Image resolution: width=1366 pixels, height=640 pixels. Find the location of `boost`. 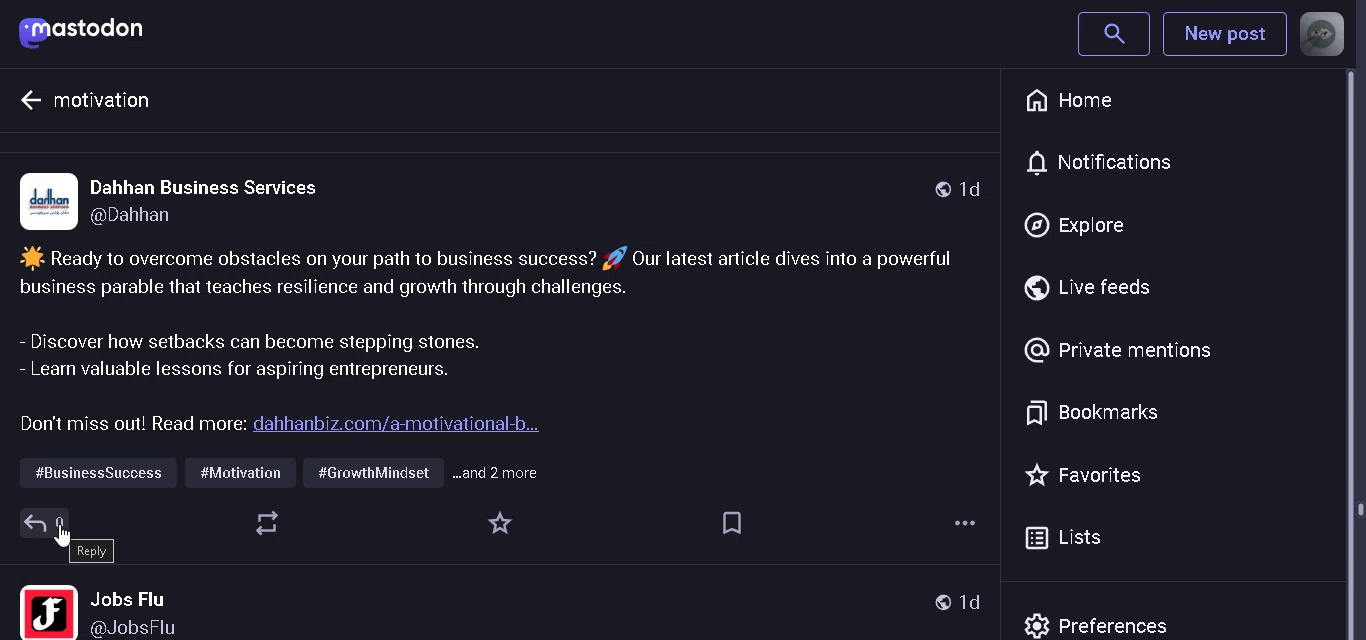

boost is located at coordinates (267, 524).